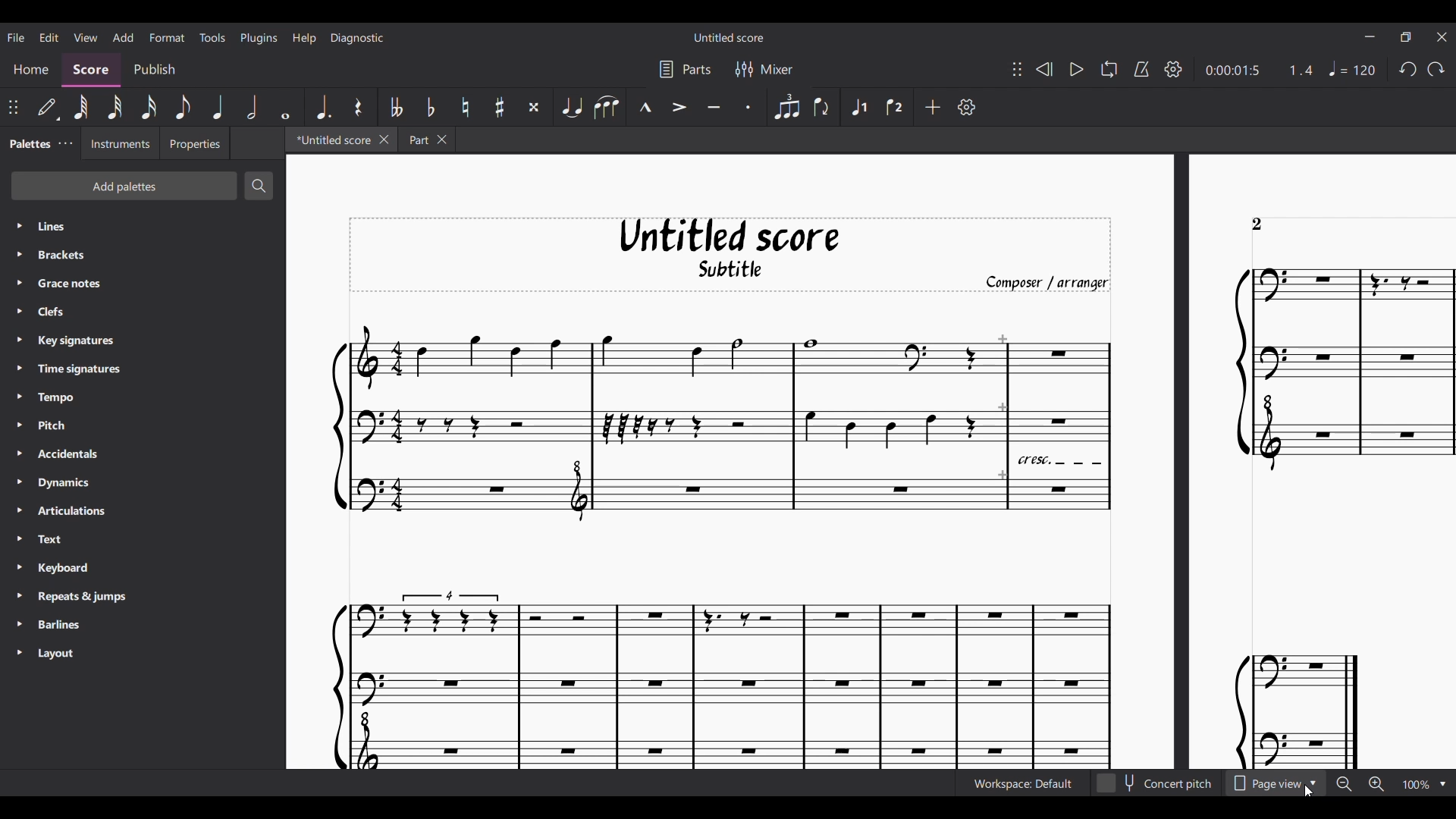  Describe the element at coordinates (48, 108) in the screenshot. I see `Default` at that location.